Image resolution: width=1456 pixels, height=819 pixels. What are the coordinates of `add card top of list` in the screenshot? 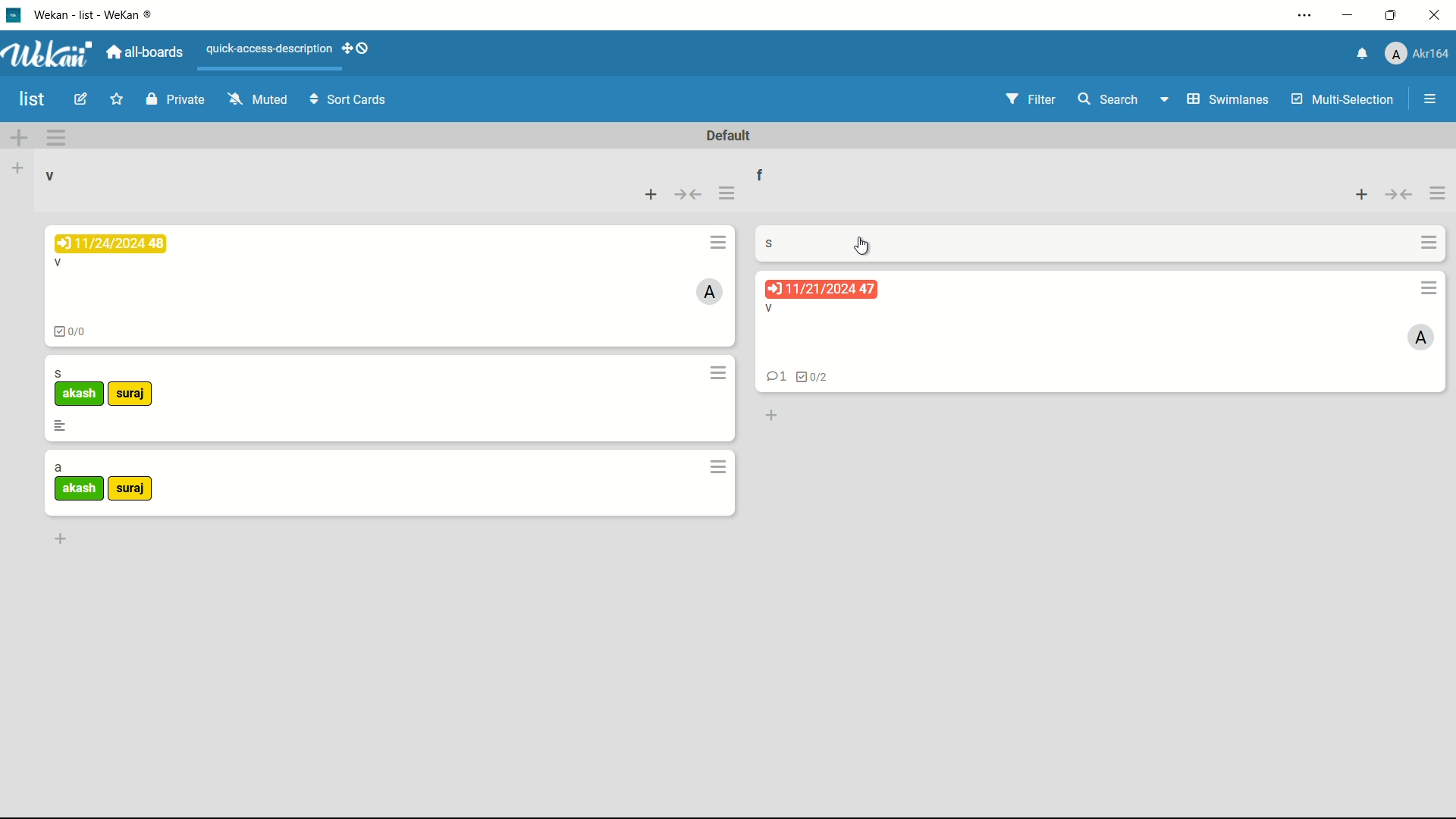 It's located at (652, 196).